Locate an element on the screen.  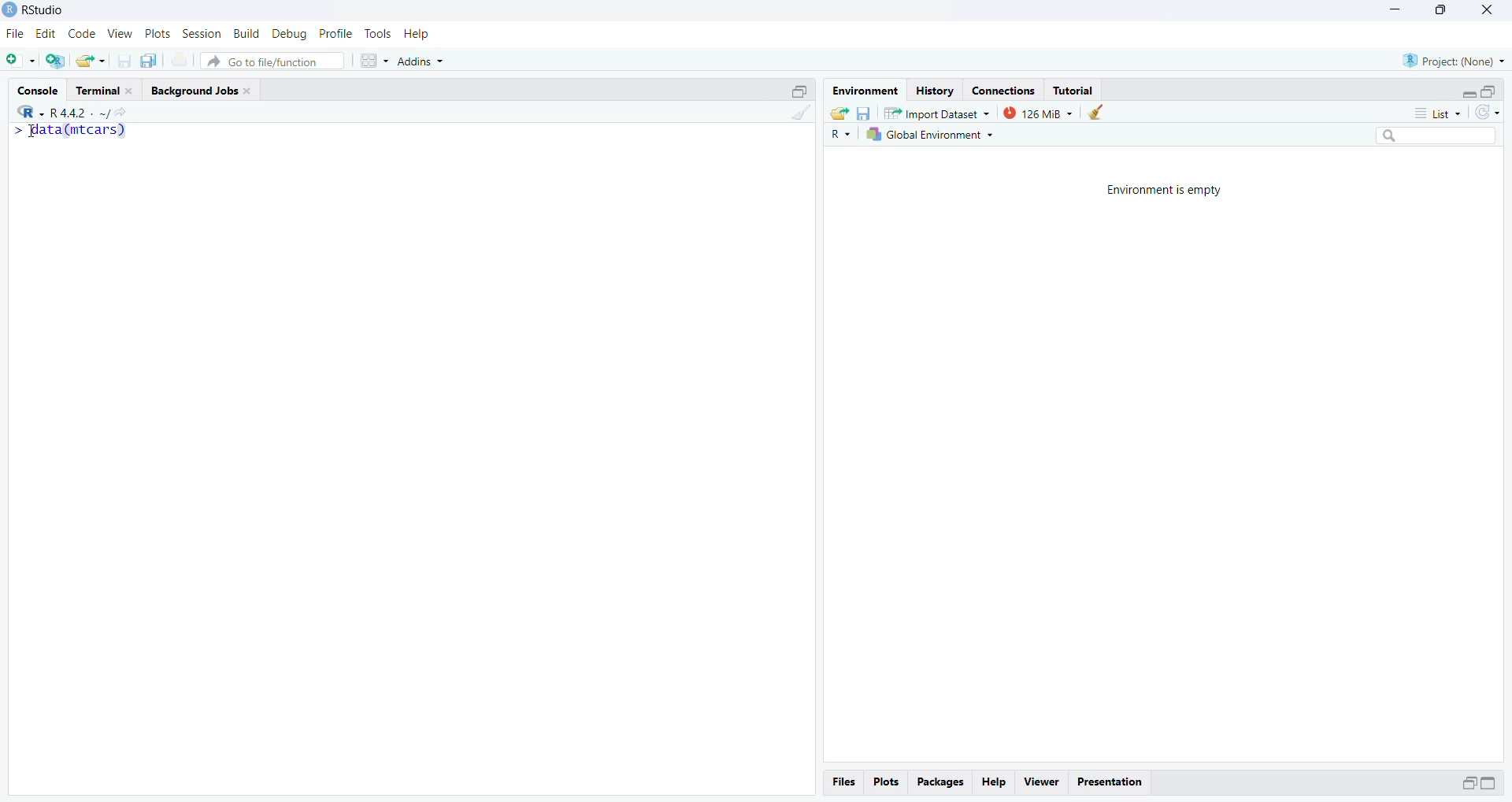
Viewer is located at coordinates (1041, 783).